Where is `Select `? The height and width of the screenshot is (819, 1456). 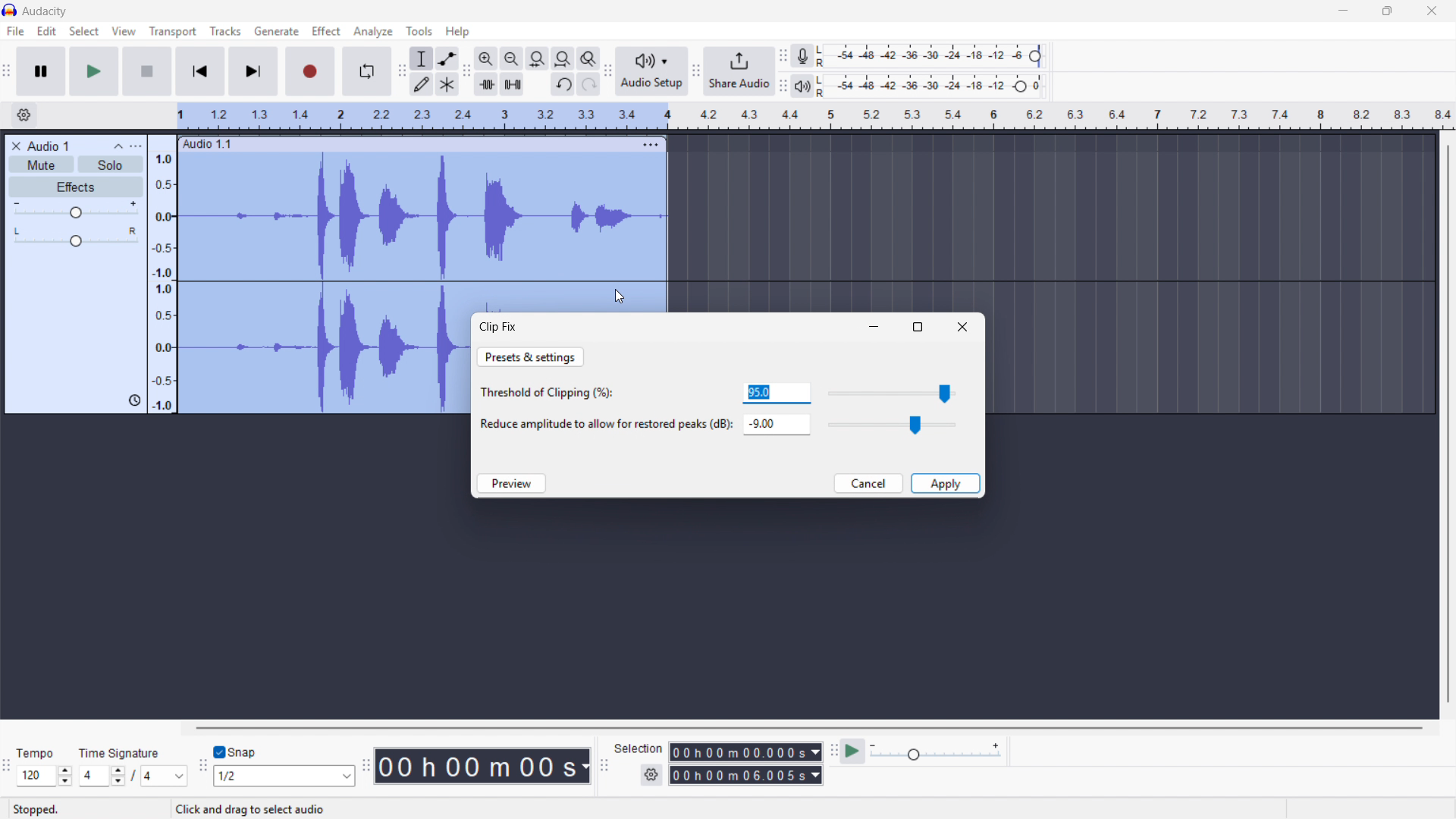
Select  is located at coordinates (83, 32).